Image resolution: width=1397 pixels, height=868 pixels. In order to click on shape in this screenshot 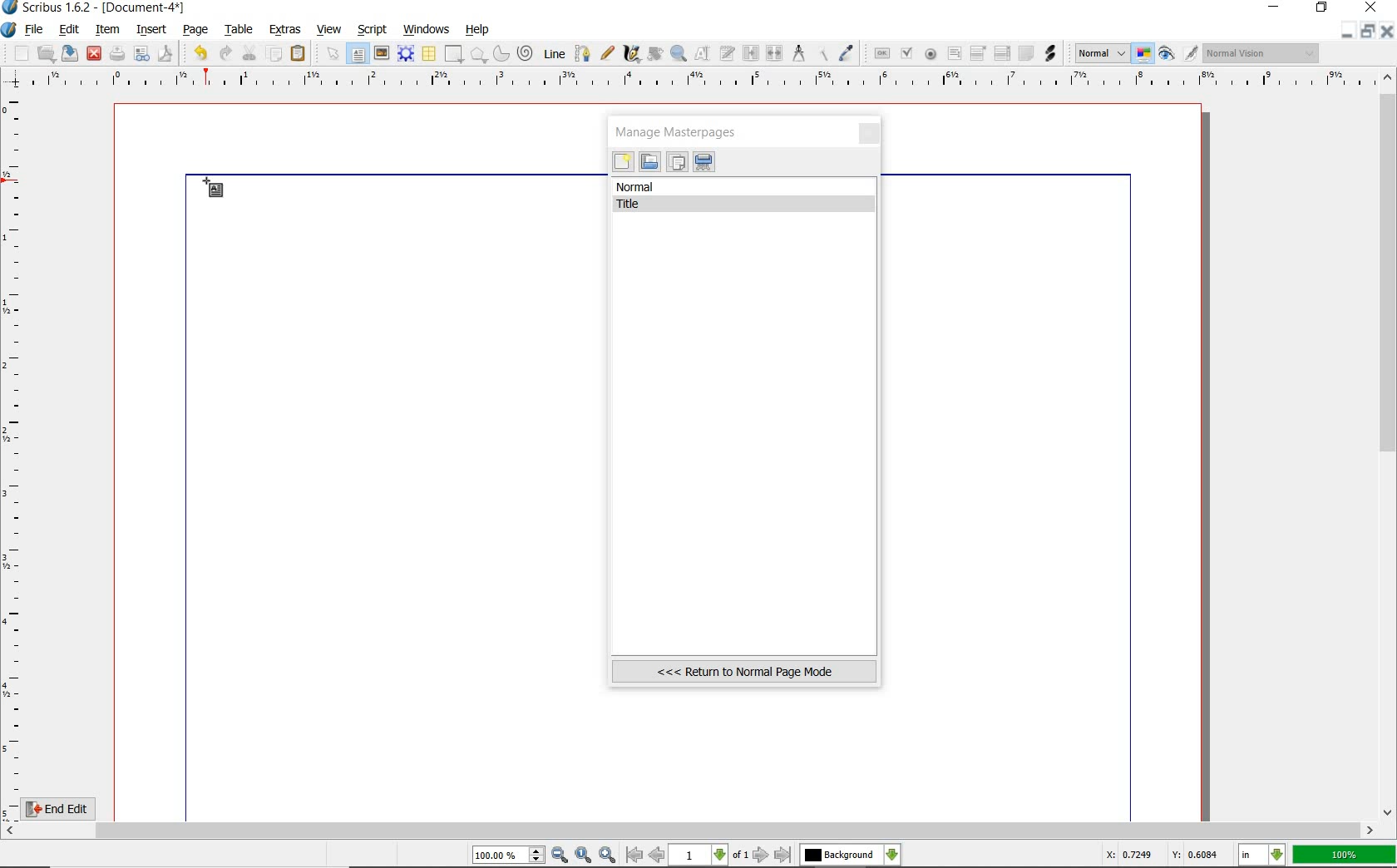, I will do `click(454, 55)`.